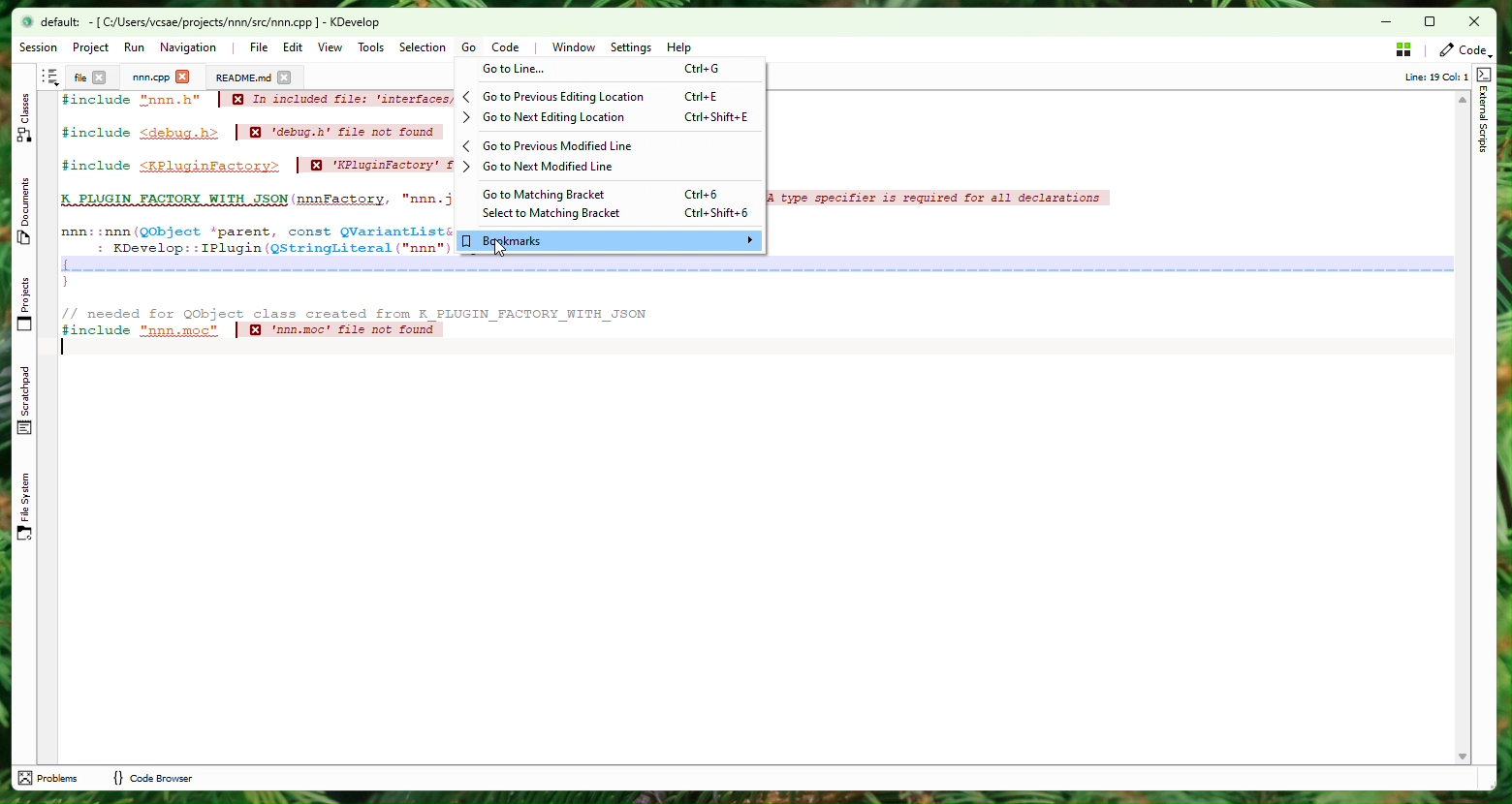  I want to click on close tab, so click(100, 78).